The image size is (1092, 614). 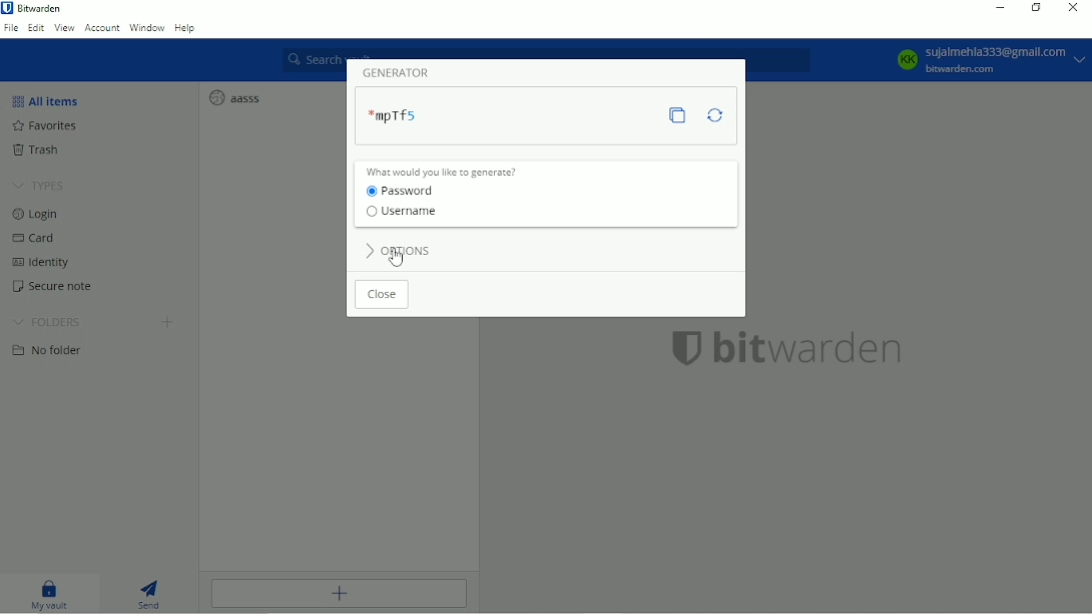 What do you see at coordinates (716, 114) in the screenshot?
I see `Regenerate password` at bounding box center [716, 114].